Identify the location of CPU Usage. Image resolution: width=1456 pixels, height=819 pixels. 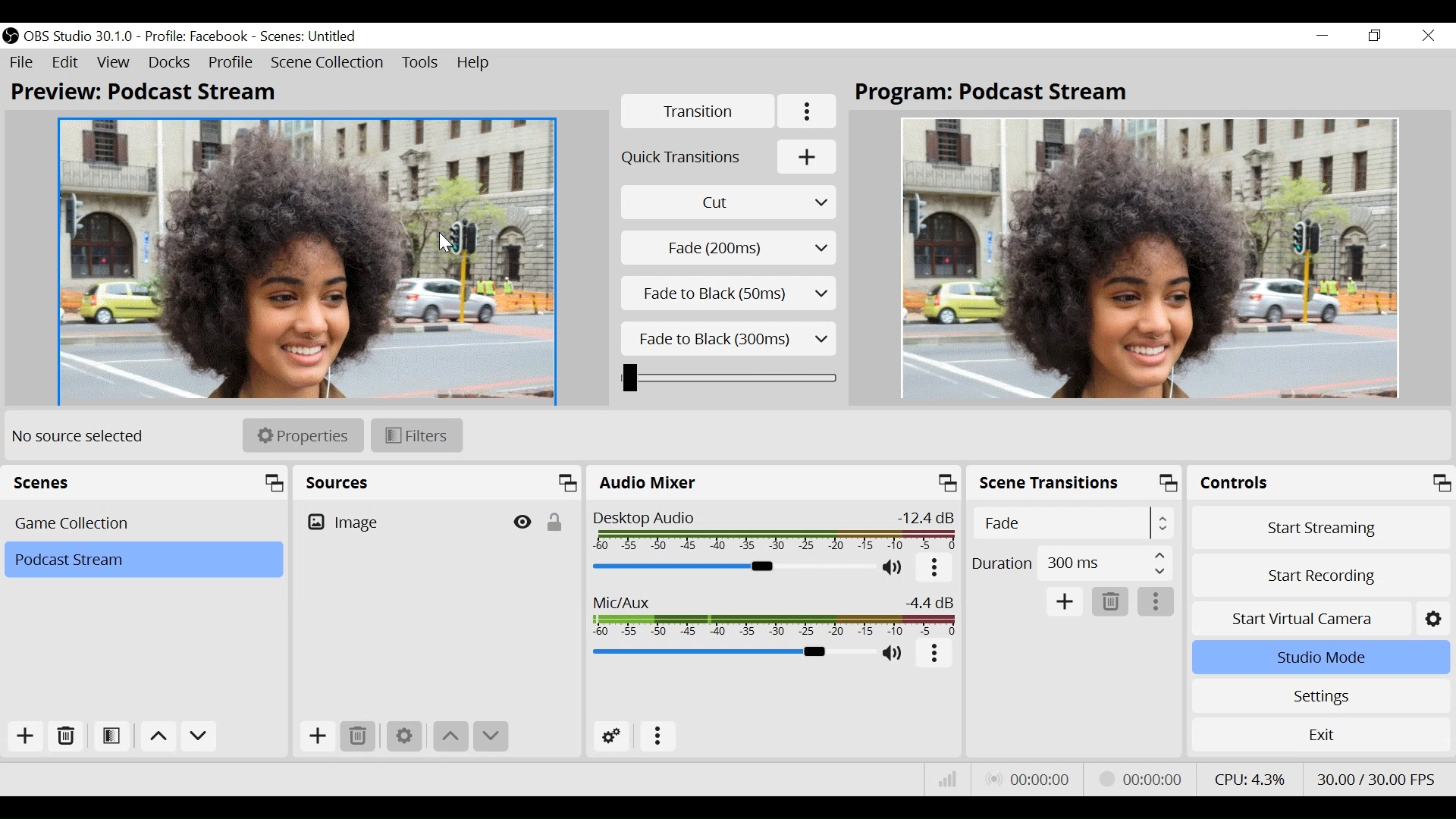
(1252, 776).